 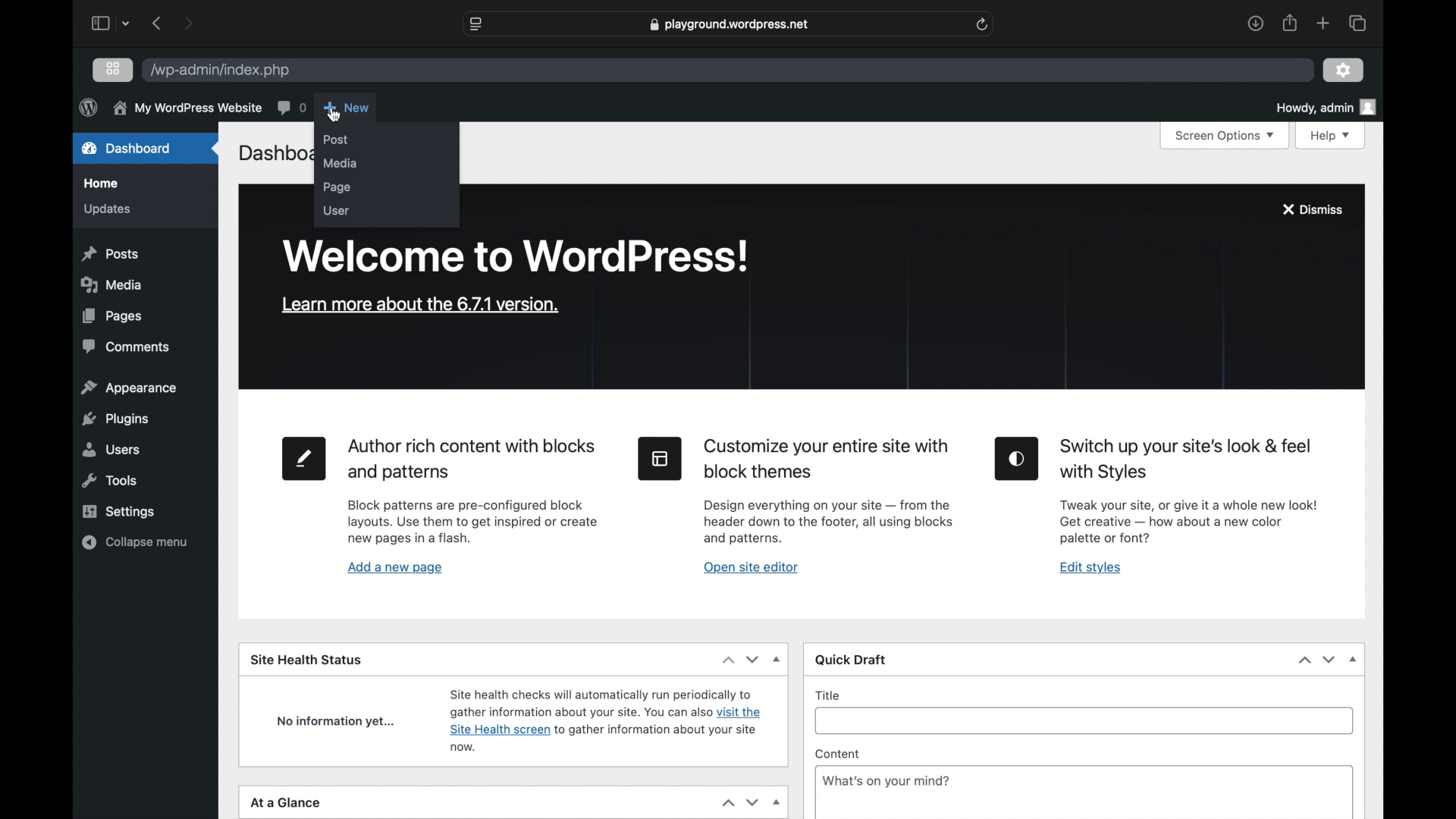 I want to click on grid view, so click(x=113, y=70).